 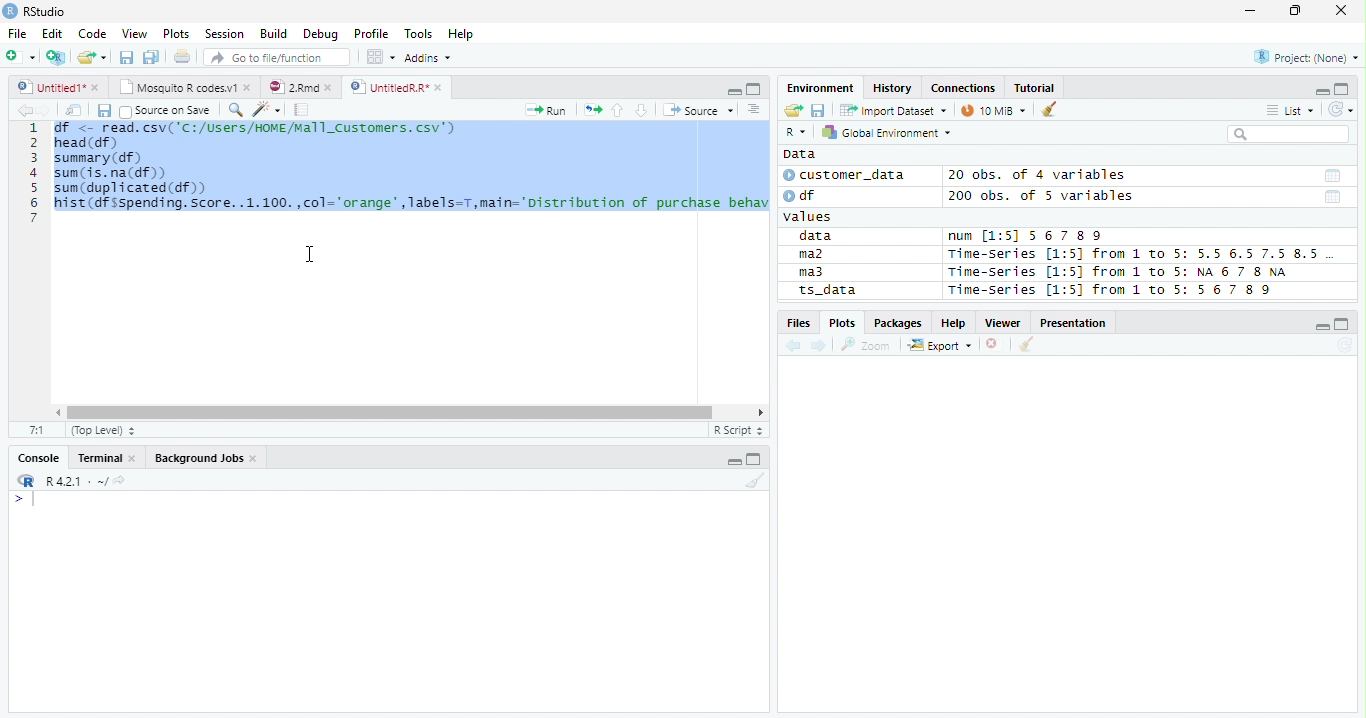 What do you see at coordinates (752, 109) in the screenshot?
I see `Show document outline` at bounding box center [752, 109].